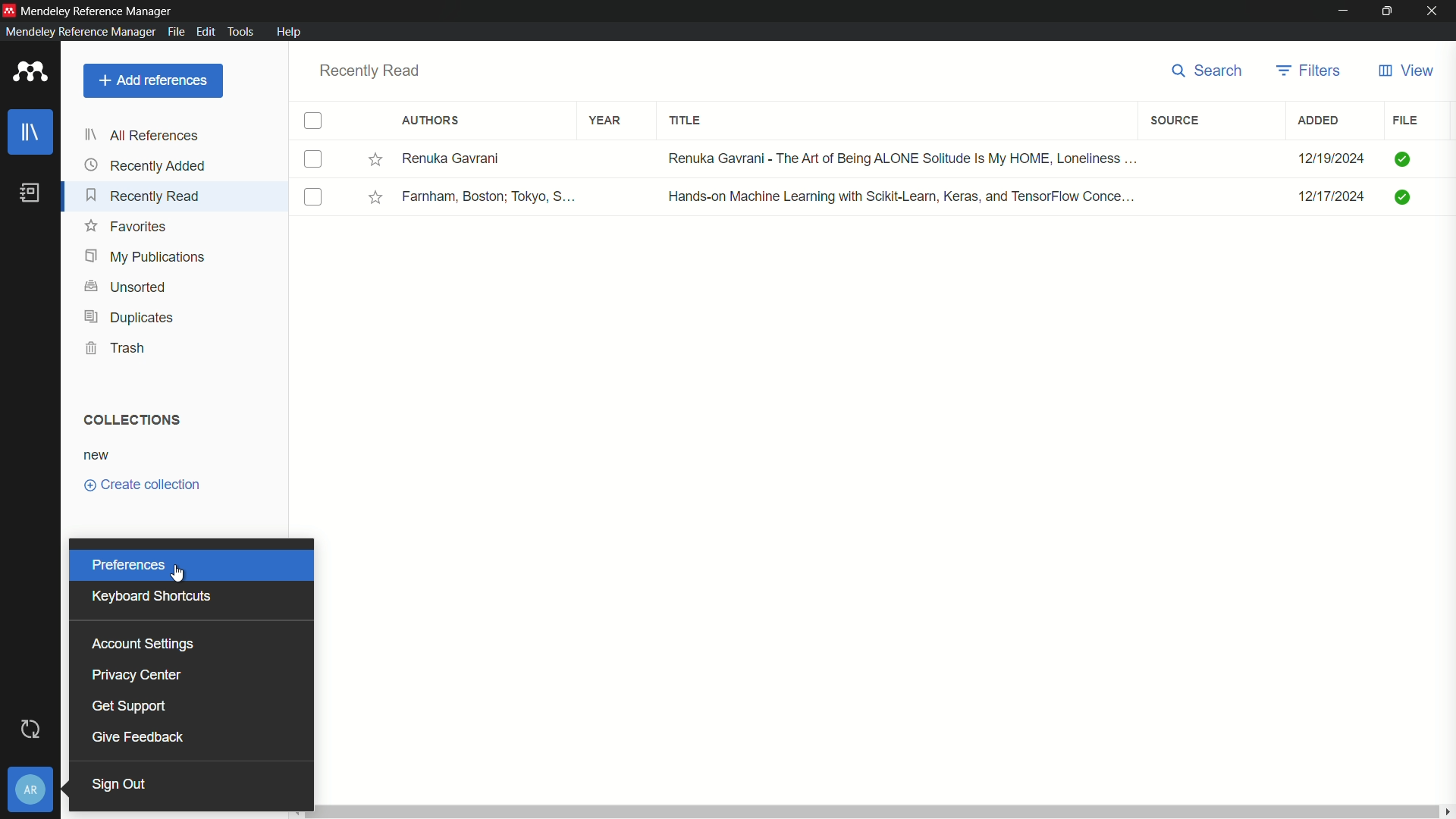 This screenshot has height=819, width=1456. Describe the element at coordinates (314, 121) in the screenshot. I see `check box` at that location.